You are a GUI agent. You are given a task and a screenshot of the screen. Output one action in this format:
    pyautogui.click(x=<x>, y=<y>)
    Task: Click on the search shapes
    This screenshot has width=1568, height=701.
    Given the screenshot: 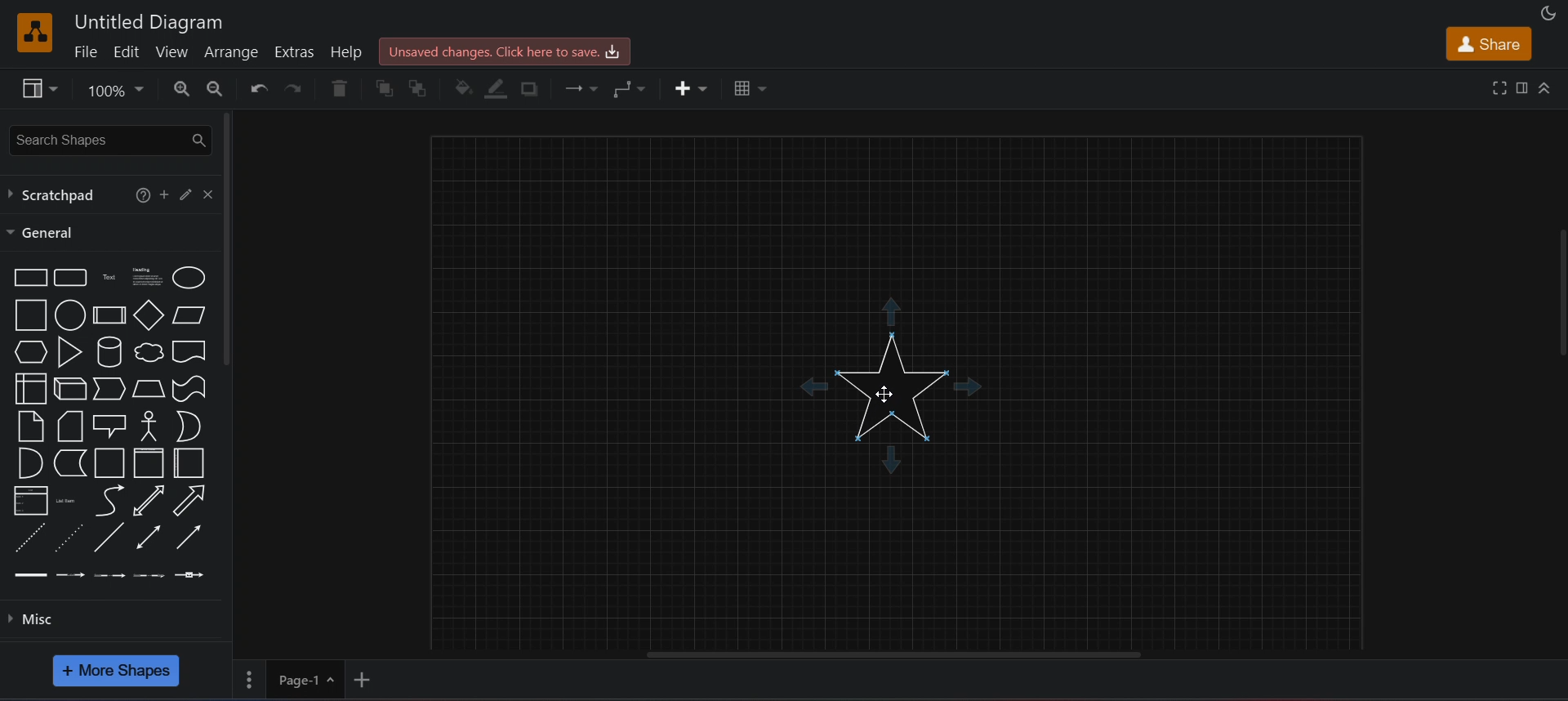 What is the action you would take?
    pyautogui.click(x=105, y=138)
    